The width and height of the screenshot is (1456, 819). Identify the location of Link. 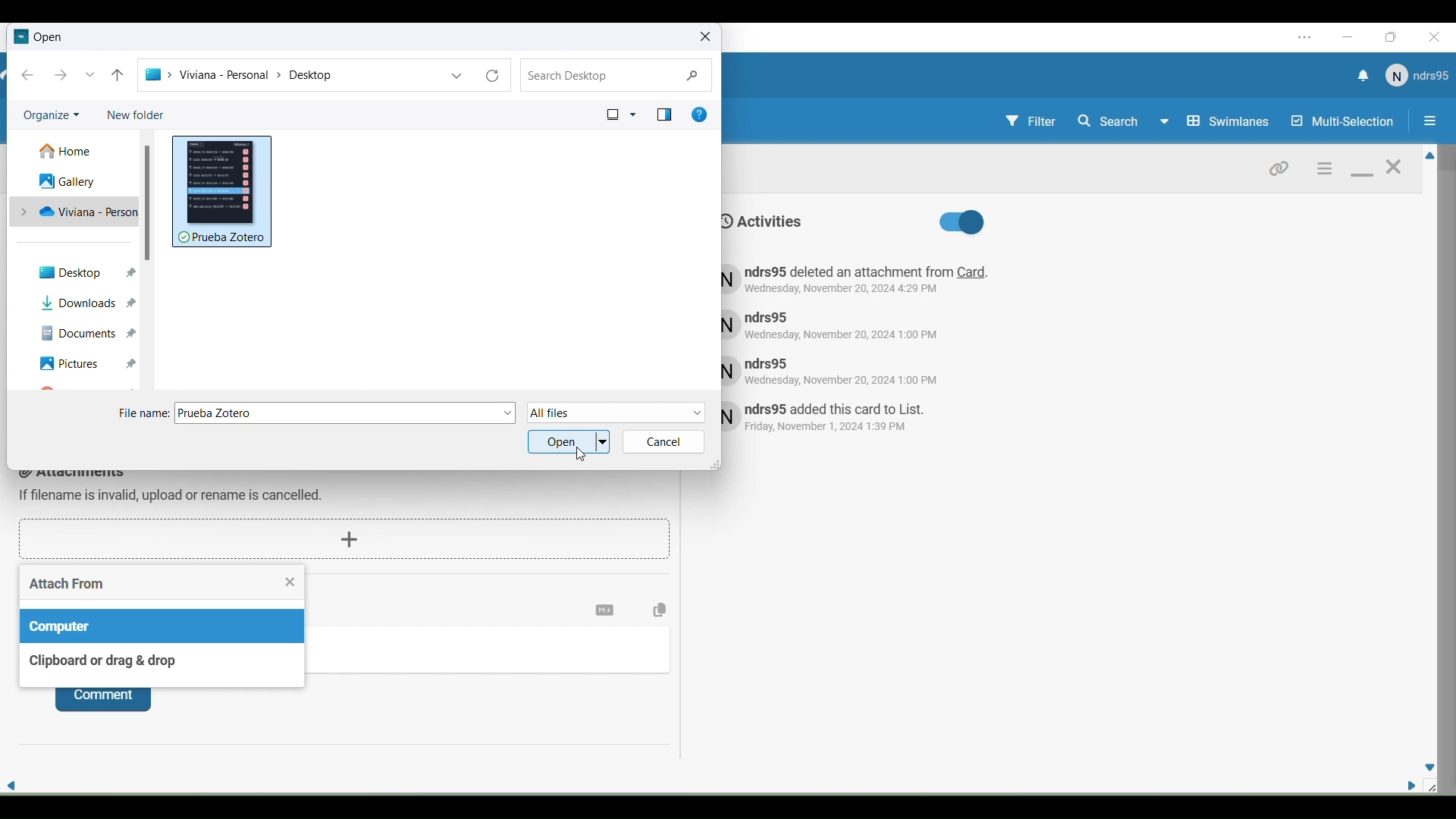
(1279, 167).